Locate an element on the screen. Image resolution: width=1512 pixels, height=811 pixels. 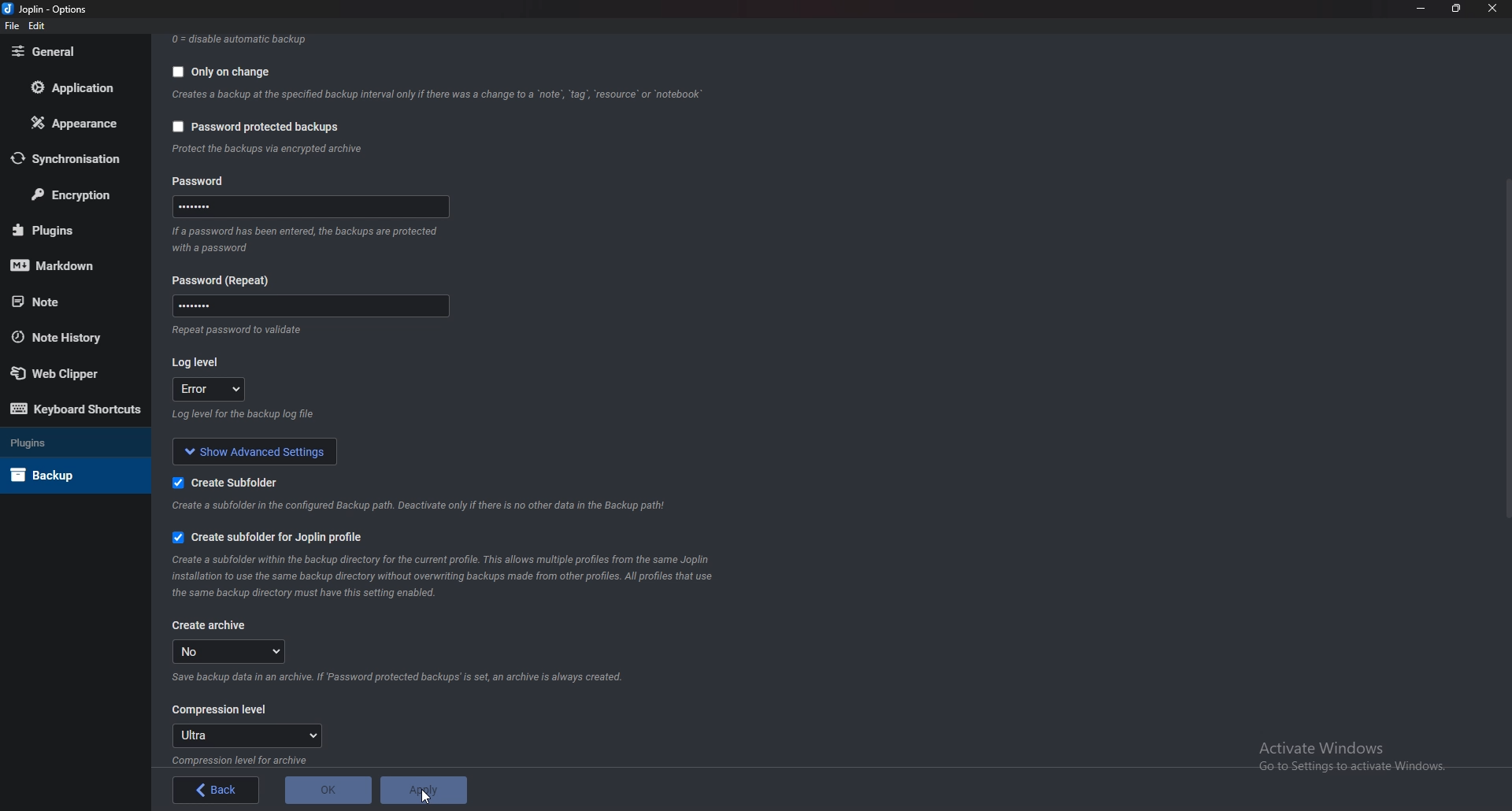
markdown is located at coordinates (69, 264).